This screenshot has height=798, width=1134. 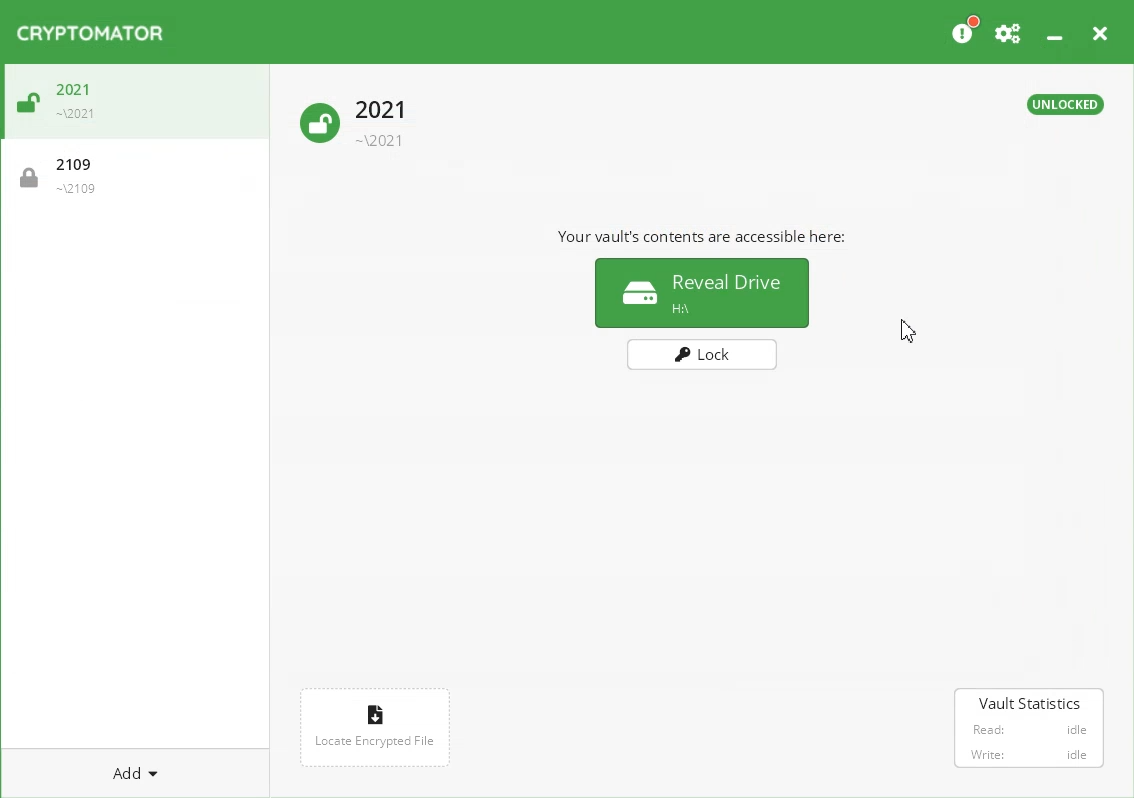 I want to click on Add, so click(x=135, y=773).